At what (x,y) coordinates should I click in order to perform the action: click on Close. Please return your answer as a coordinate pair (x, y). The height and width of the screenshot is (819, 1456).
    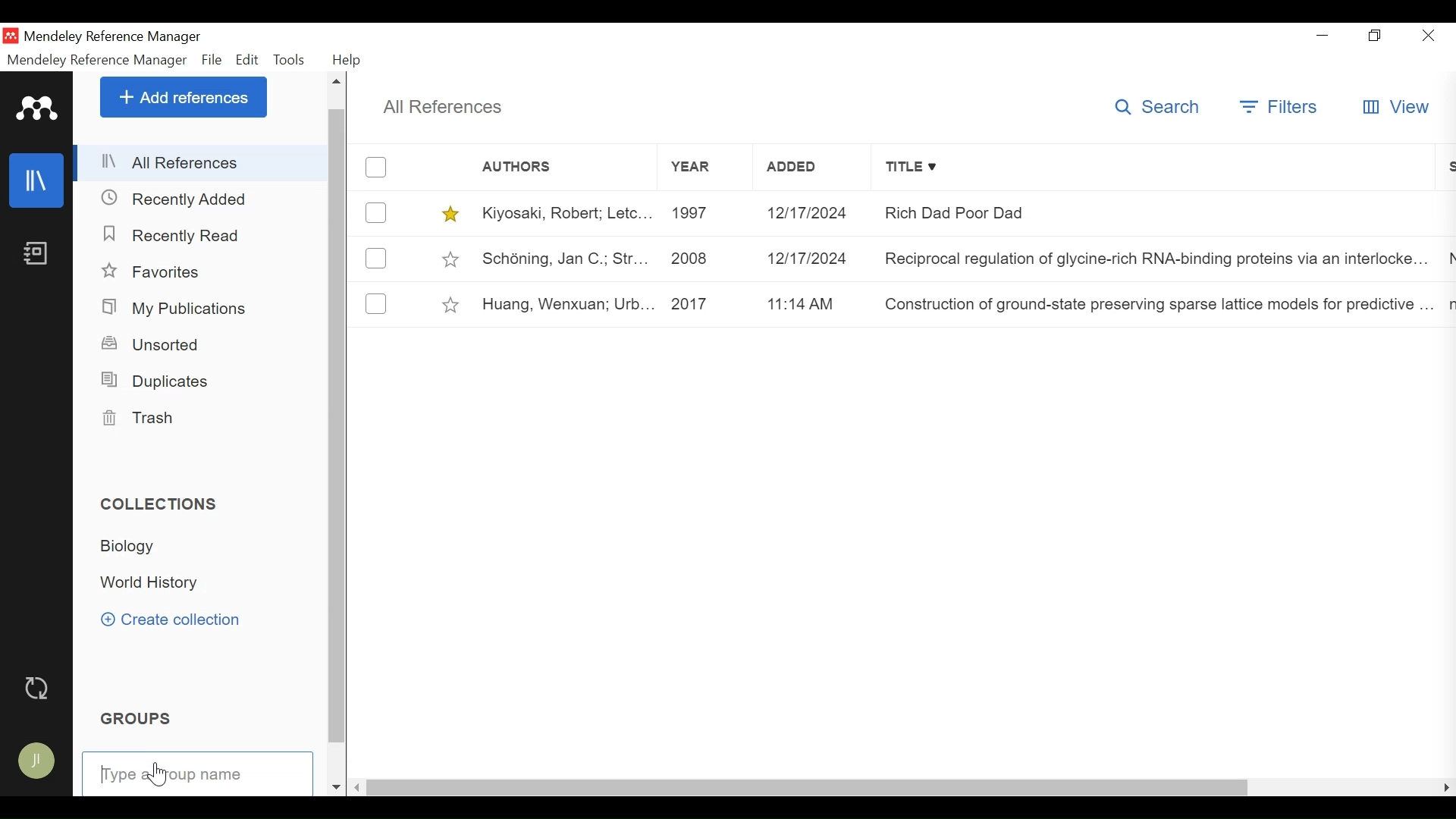
    Looking at the image, I should click on (1429, 35).